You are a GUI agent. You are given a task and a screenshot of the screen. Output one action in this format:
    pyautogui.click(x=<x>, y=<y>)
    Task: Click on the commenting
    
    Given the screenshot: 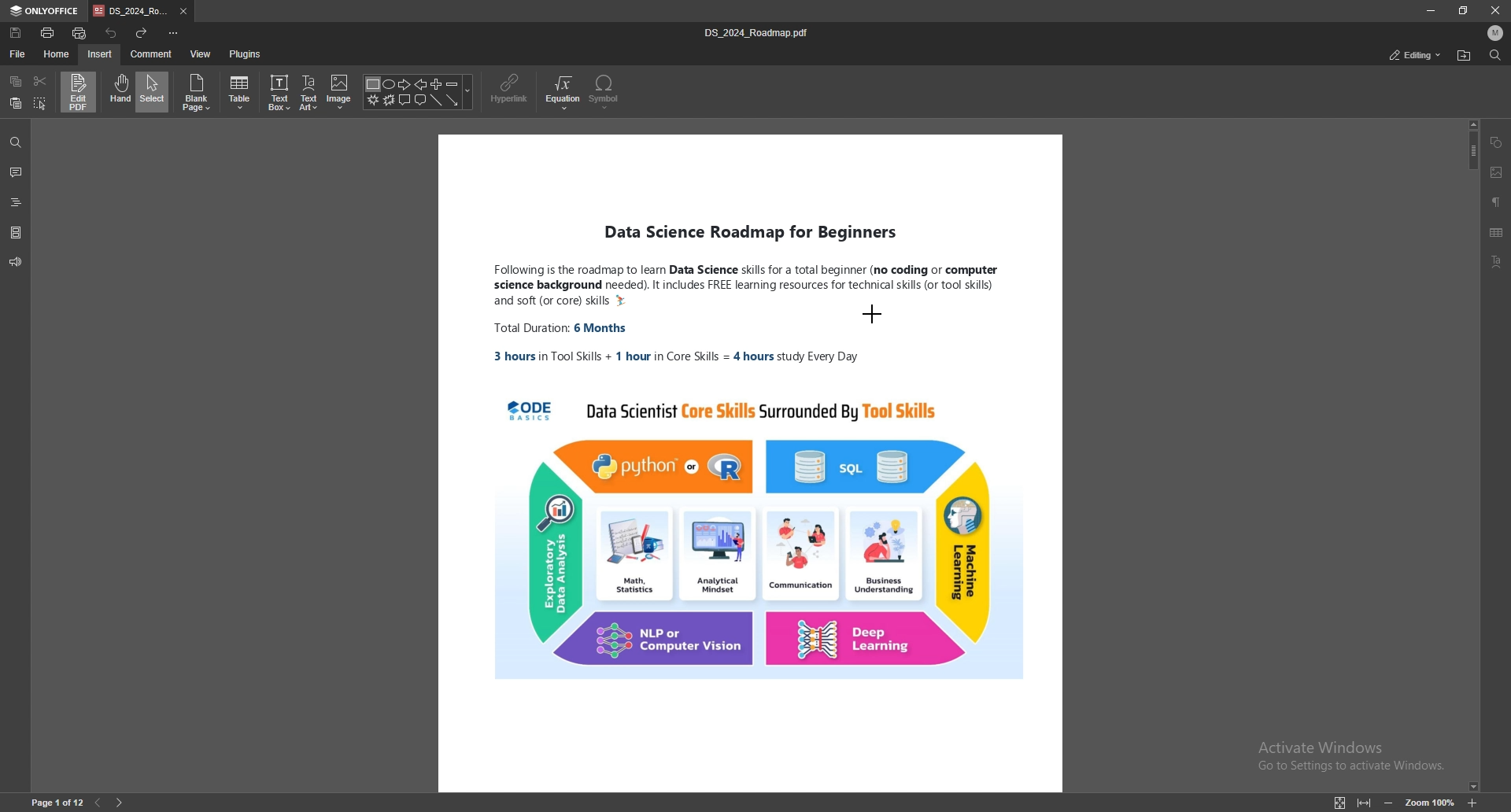 What is the action you would take?
    pyautogui.click(x=1403, y=54)
    